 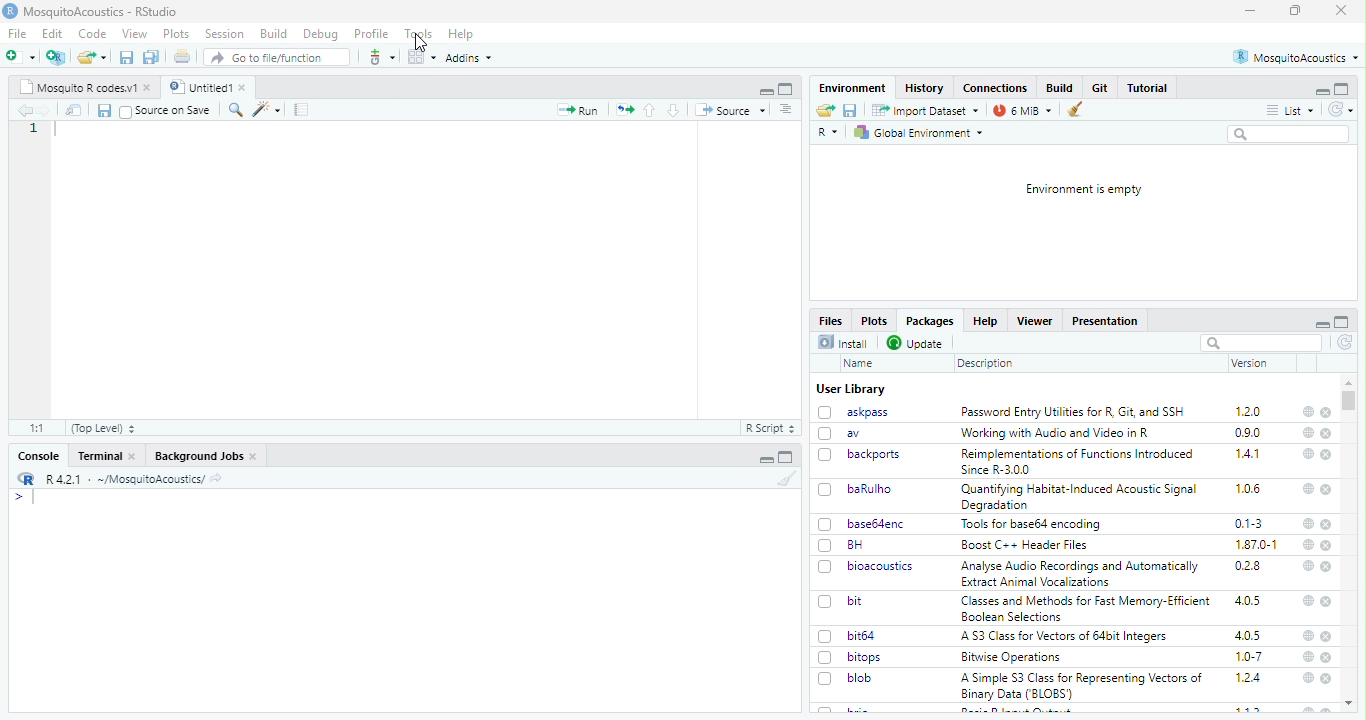 I want to click on bit64, so click(x=862, y=636).